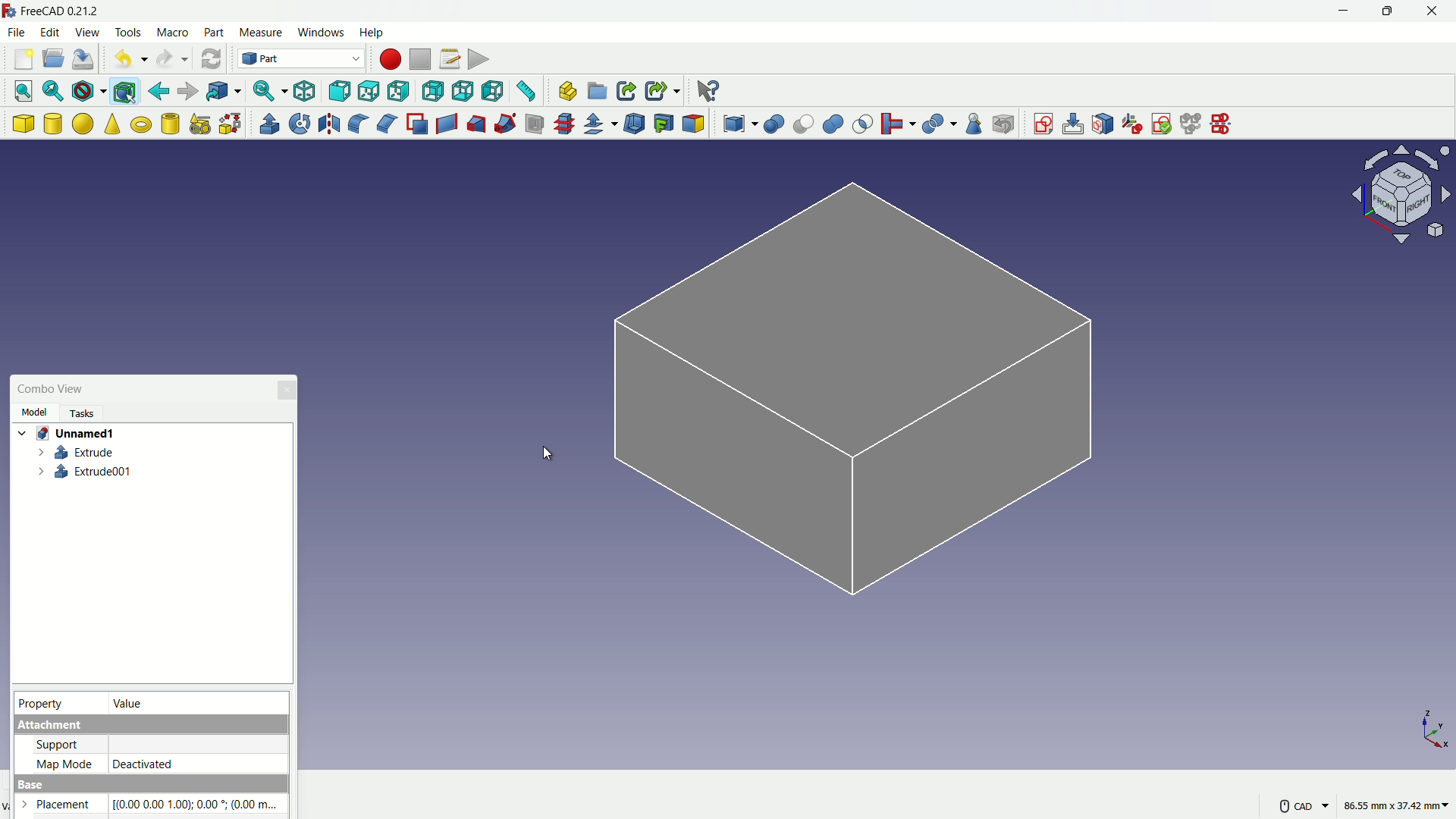  I want to click on Cursor, so click(548, 455).